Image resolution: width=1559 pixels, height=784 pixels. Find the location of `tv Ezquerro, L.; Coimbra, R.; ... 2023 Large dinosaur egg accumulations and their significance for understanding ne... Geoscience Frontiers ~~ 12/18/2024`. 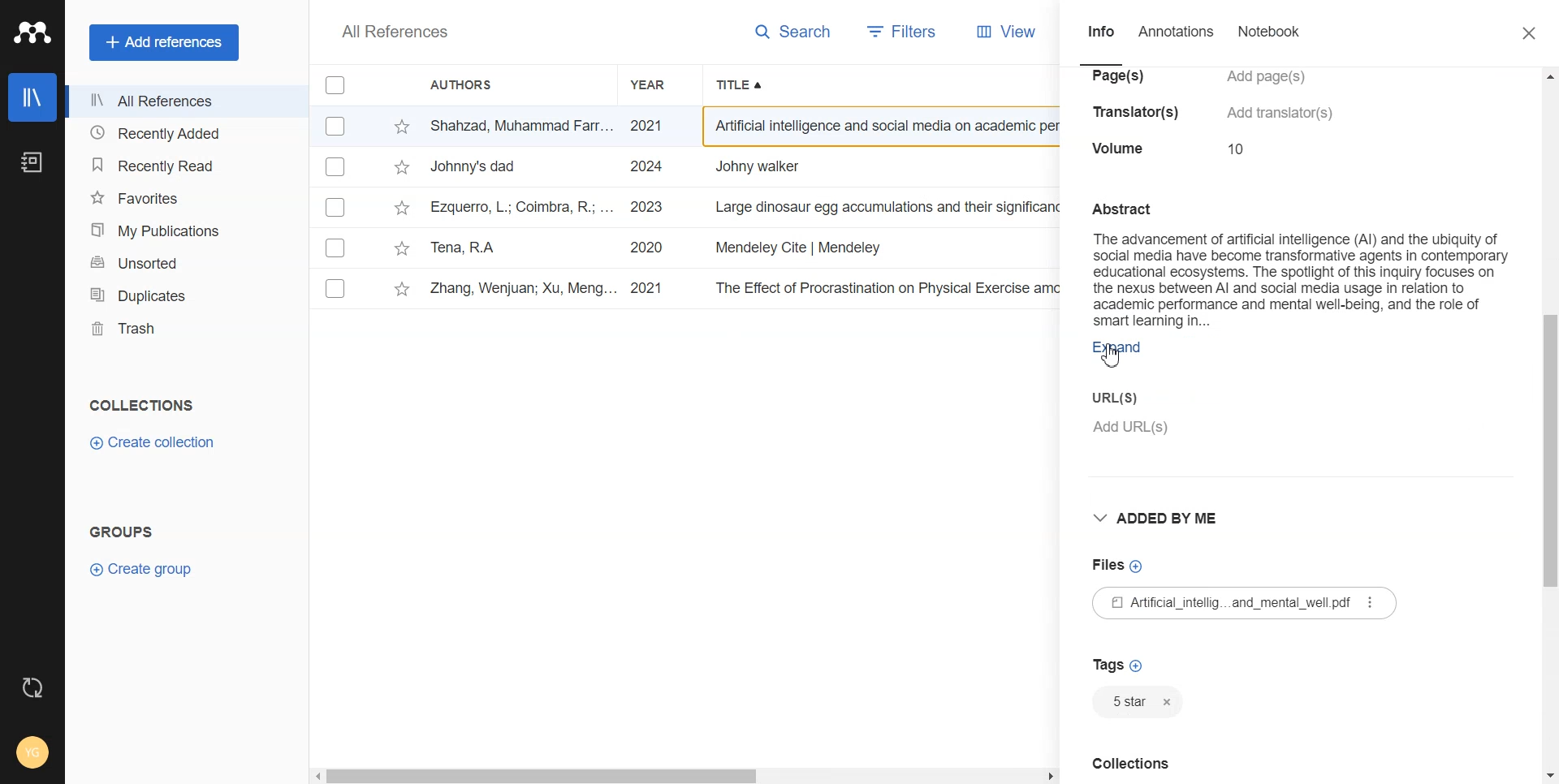

tv Ezquerro, L.; Coimbra, R.; ... 2023 Large dinosaur egg accumulations and their significance for understanding ne... Geoscience Frontiers ~~ 12/18/2024 is located at coordinates (748, 207).